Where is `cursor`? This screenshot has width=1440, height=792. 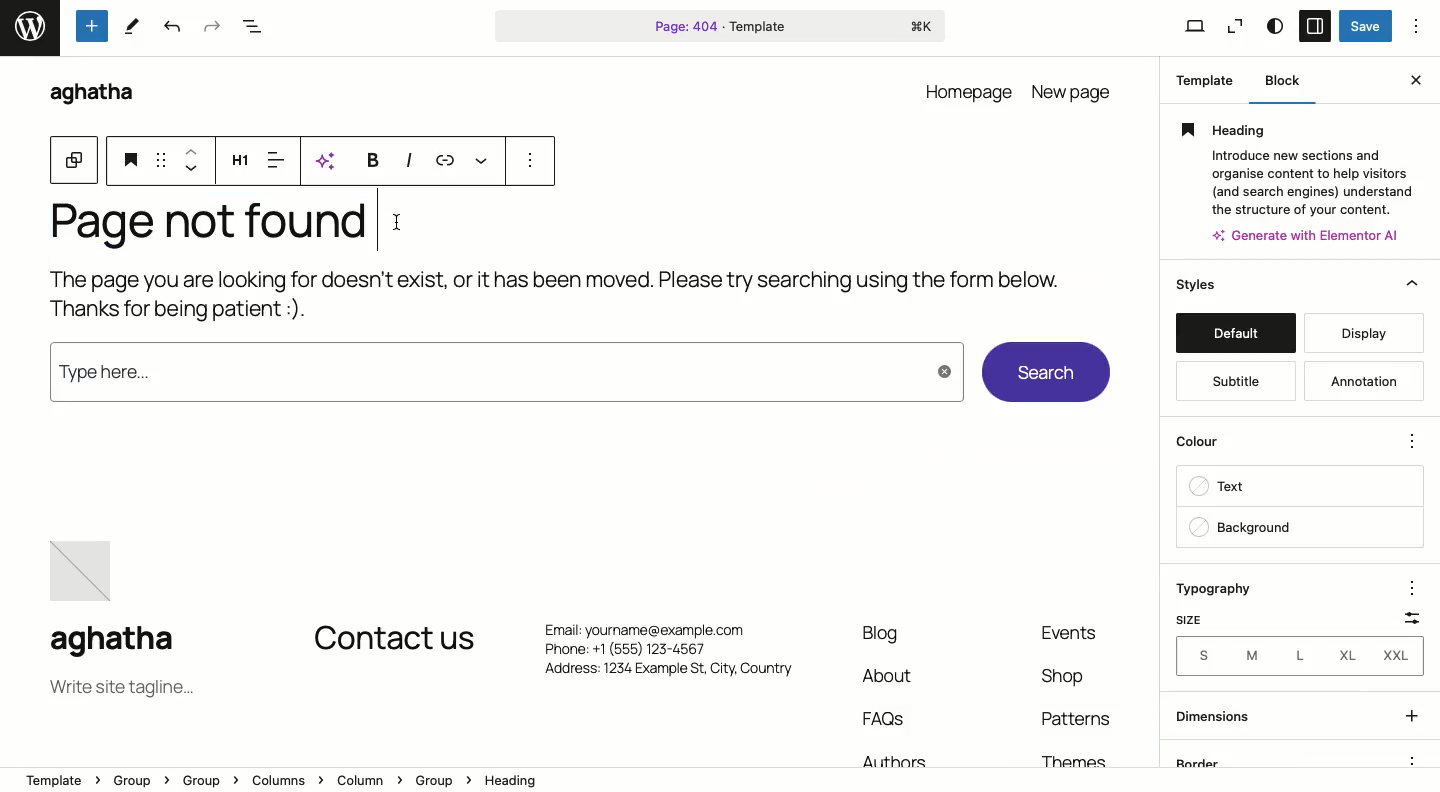
cursor is located at coordinates (392, 225).